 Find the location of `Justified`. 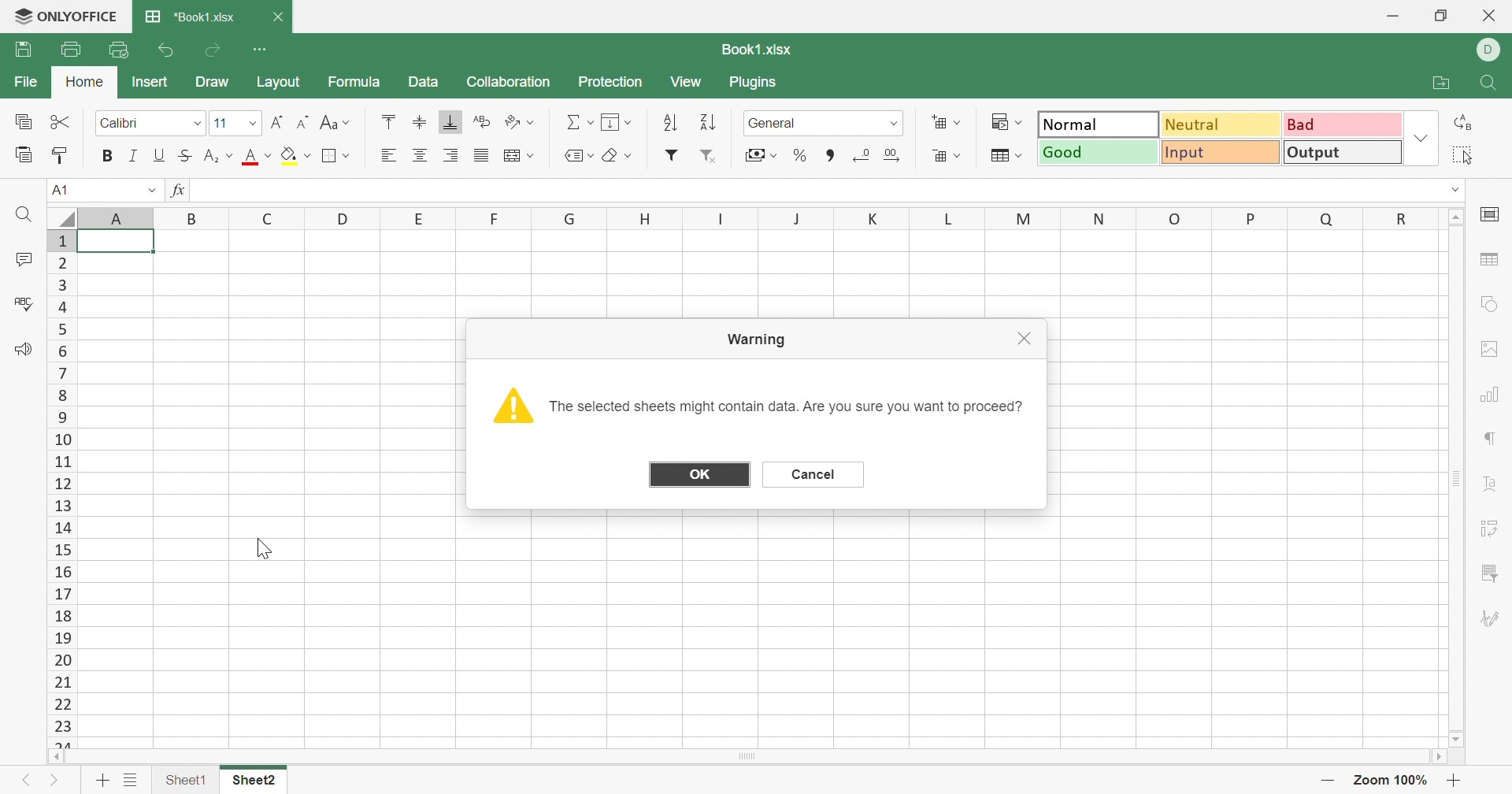

Justified is located at coordinates (480, 157).